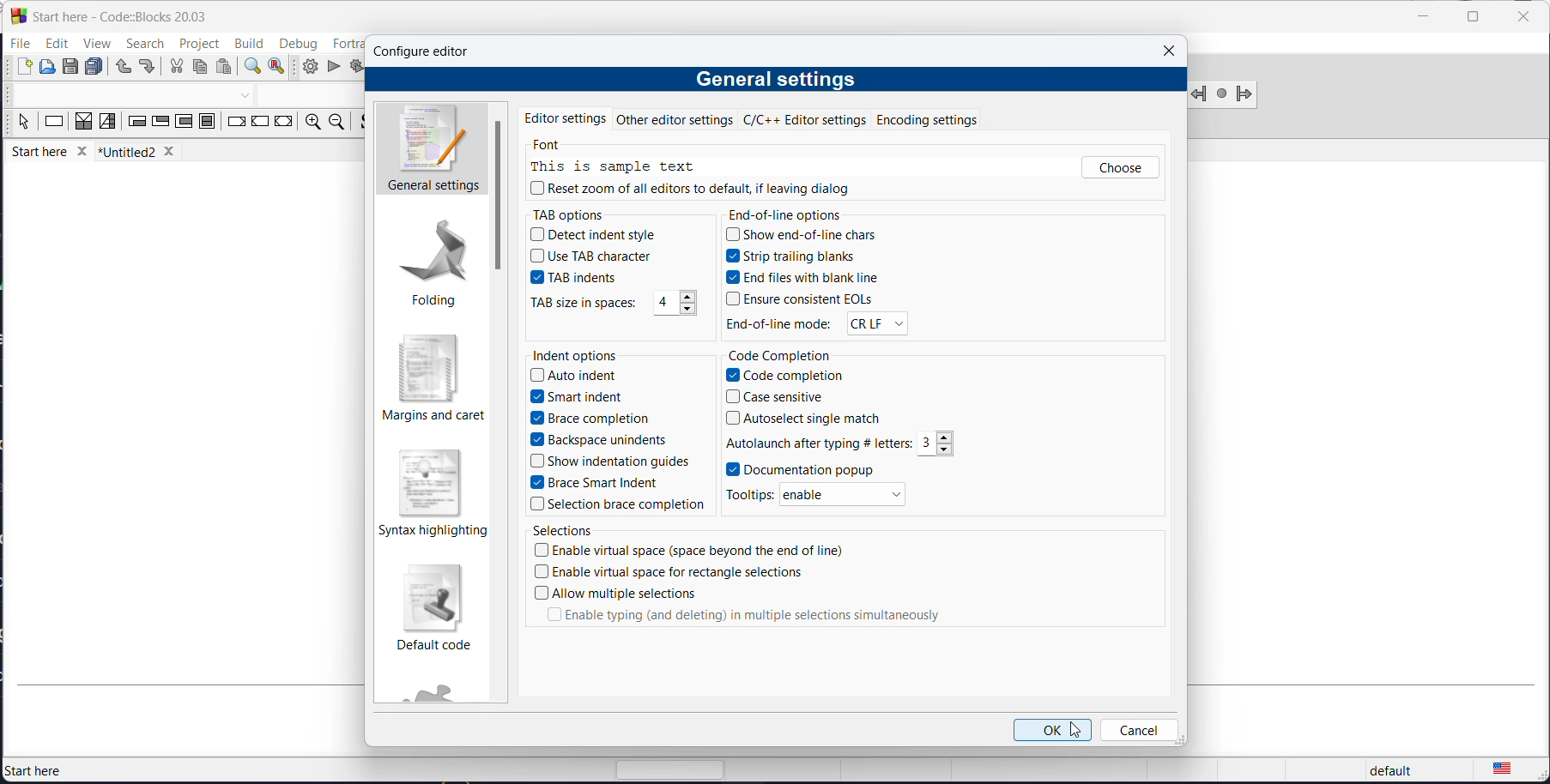 This screenshot has width=1550, height=784. What do you see at coordinates (554, 146) in the screenshot?
I see `font` at bounding box center [554, 146].